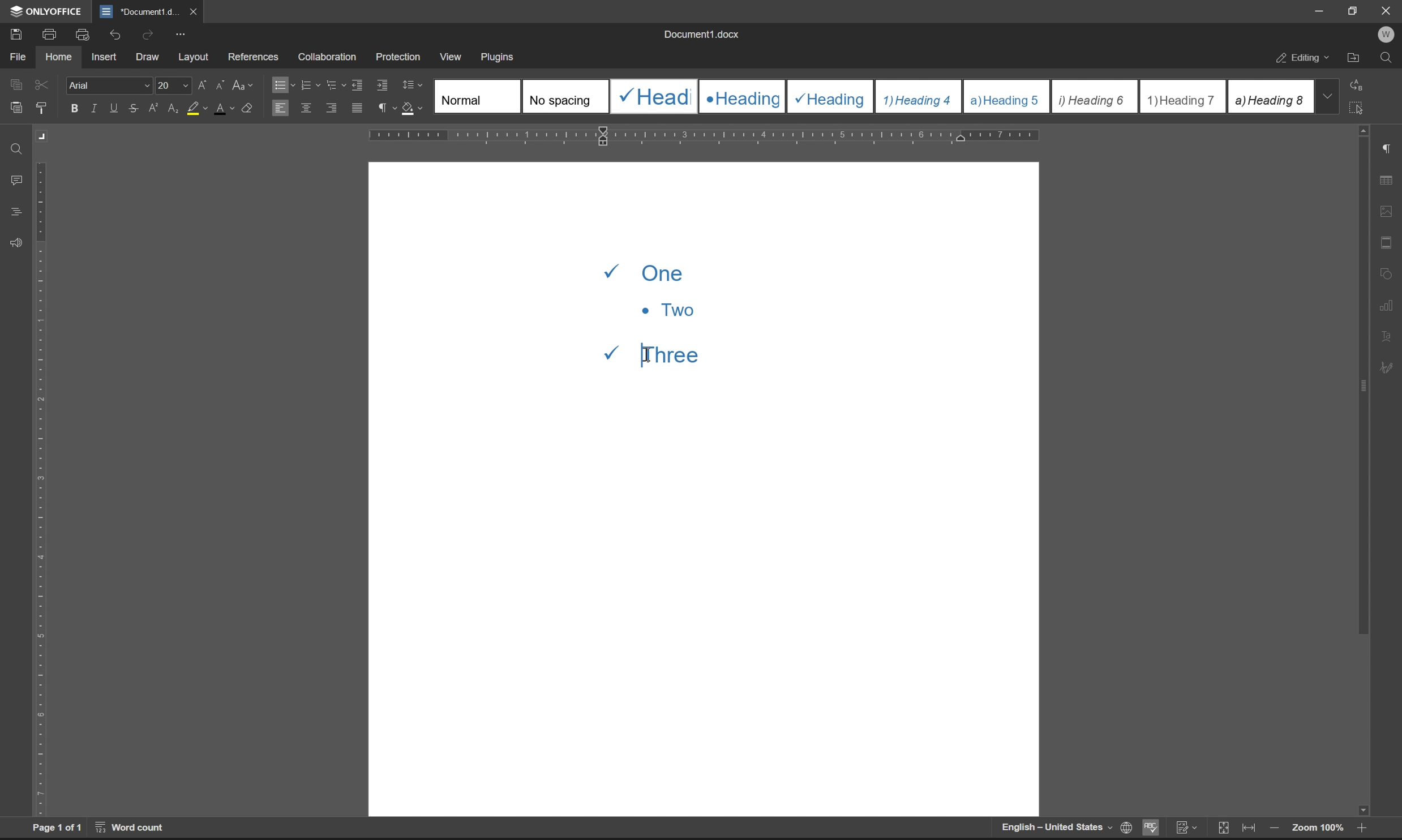  What do you see at coordinates (180, 35) in the screenshot?
I see `customize quick access toolbar` at bounding box center [180, 35].